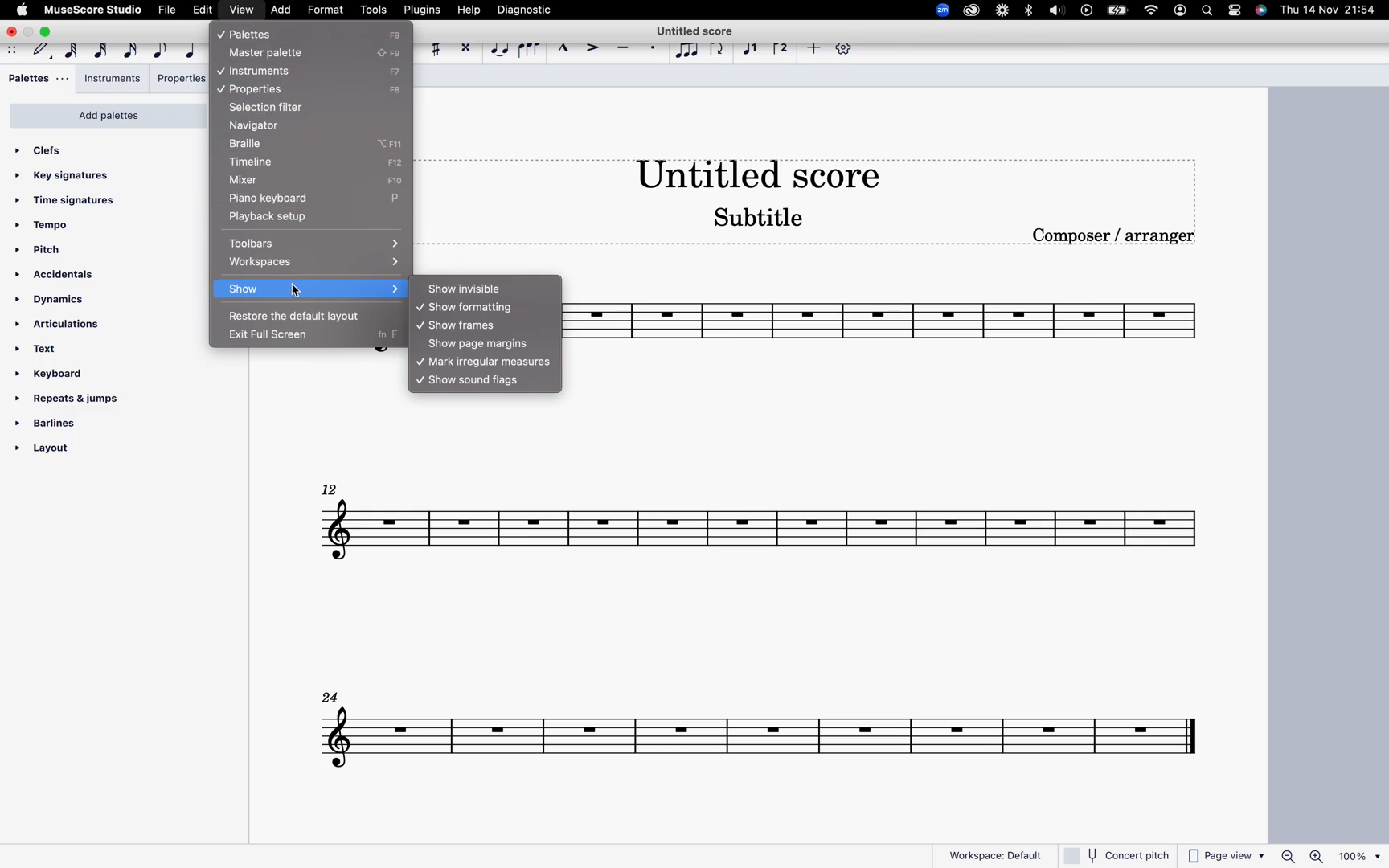 The height and width of the screenshot is (868, 1389). Describe the element at coordinates (398, 201) in the screenshot. I see `P` at that location.